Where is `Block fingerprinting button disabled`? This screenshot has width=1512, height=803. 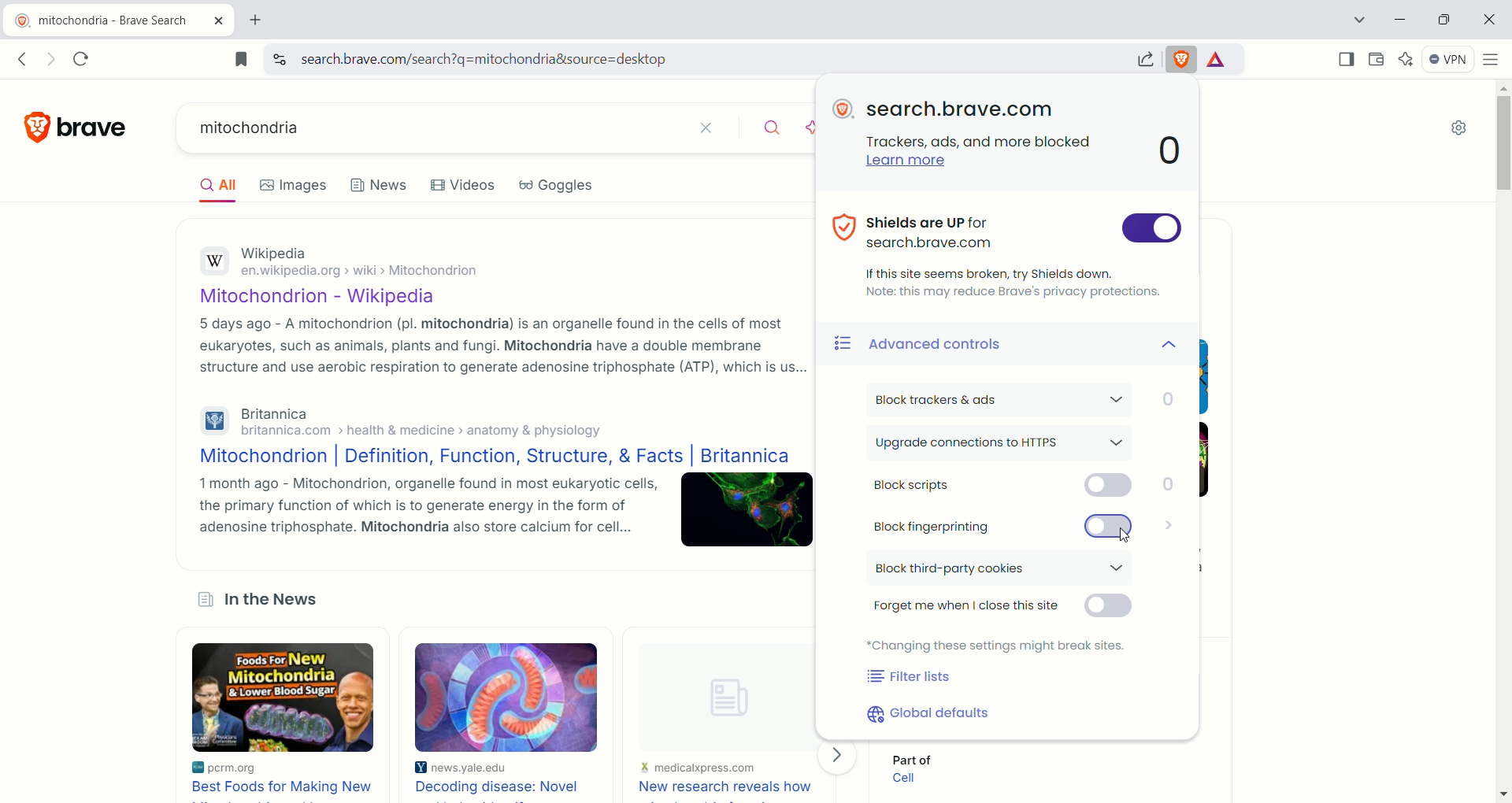 Block fingerprinting button disabled is located at coordinates (1002, 525).